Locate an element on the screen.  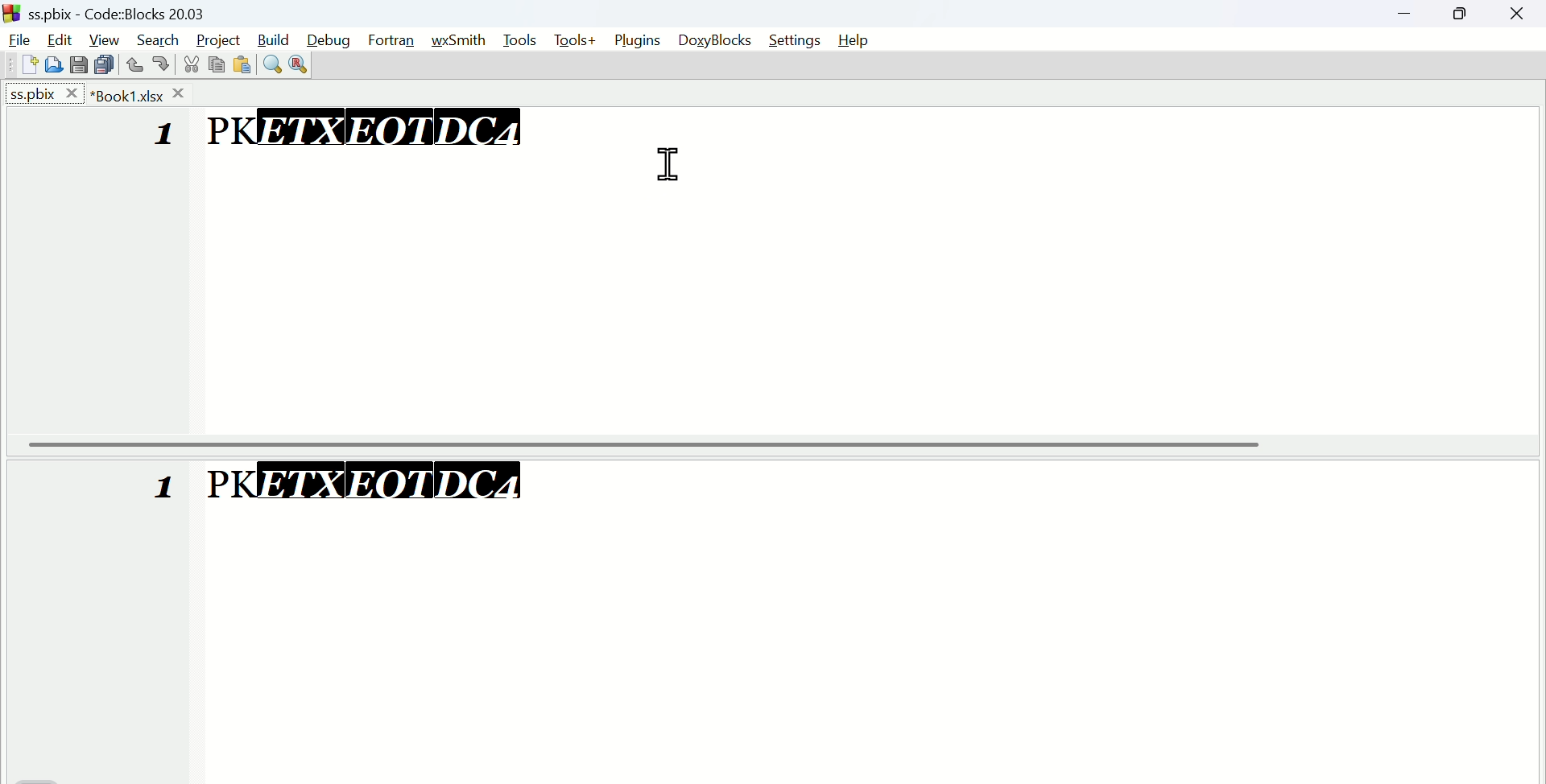
Copy is located at coordinates (81, 64).